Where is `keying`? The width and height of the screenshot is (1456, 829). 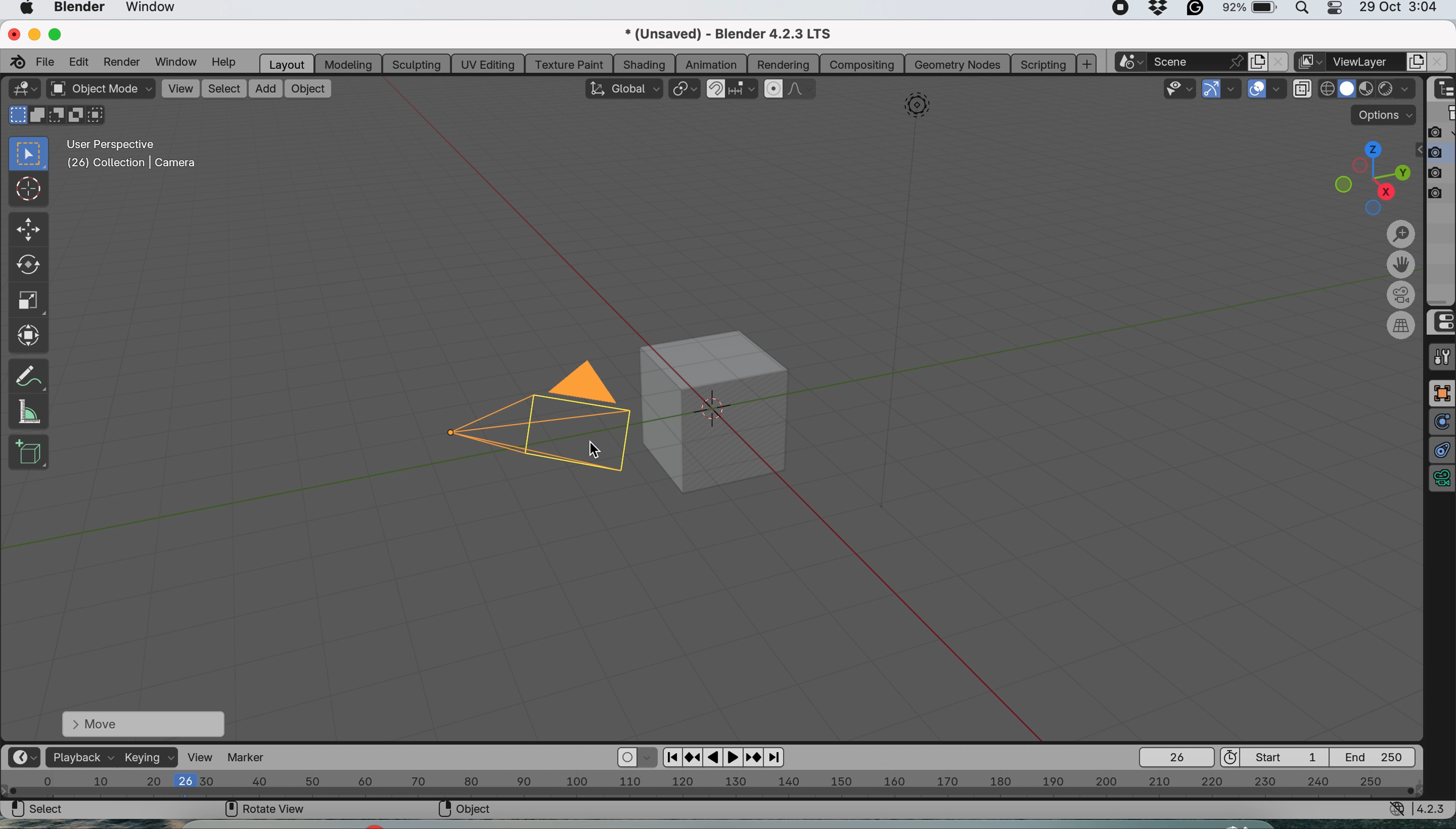 keying is located at coordinates (150, 758).